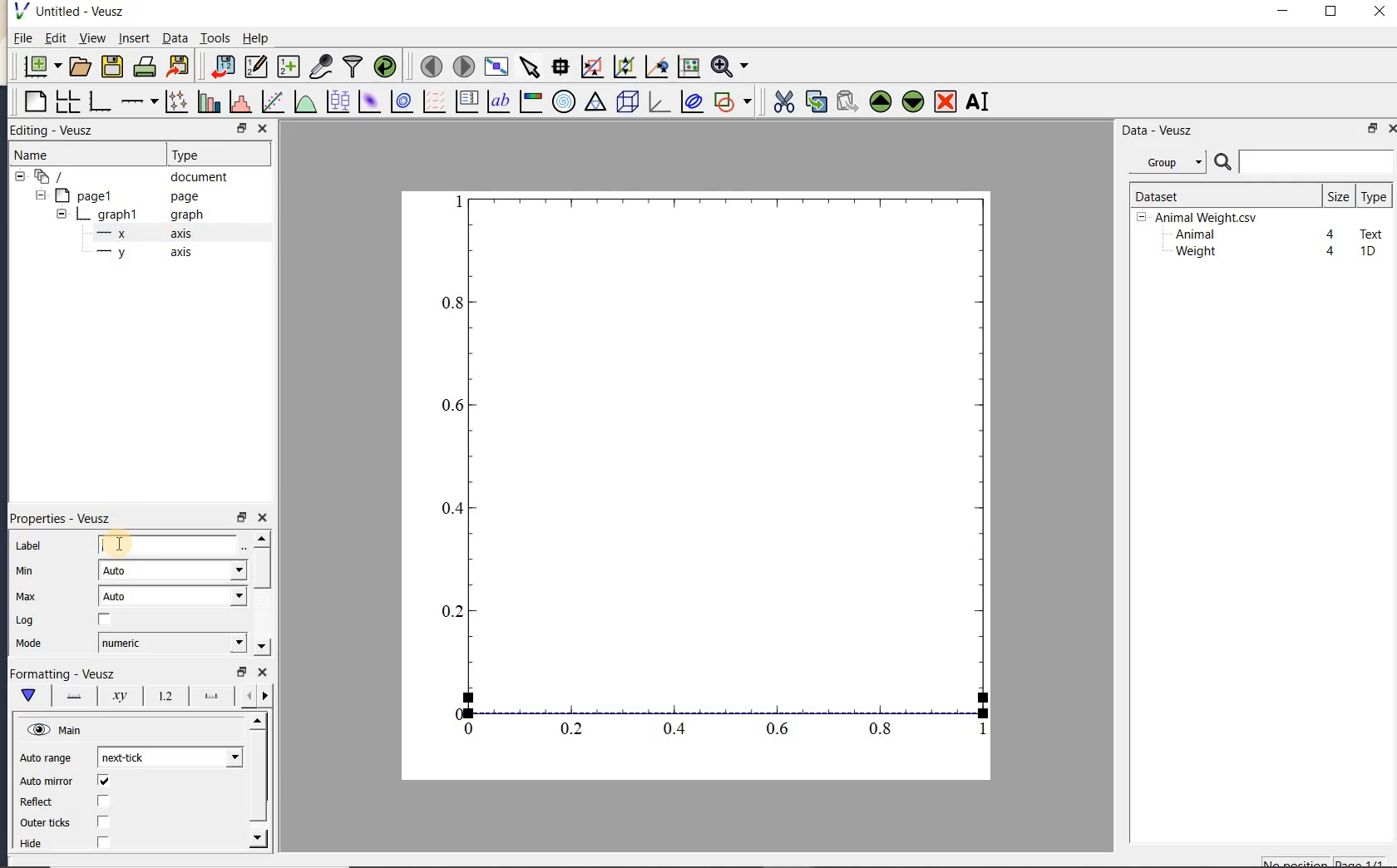 This screenshot has width=1397, height=868. I want to click on 3d scene, so click(625, 102).